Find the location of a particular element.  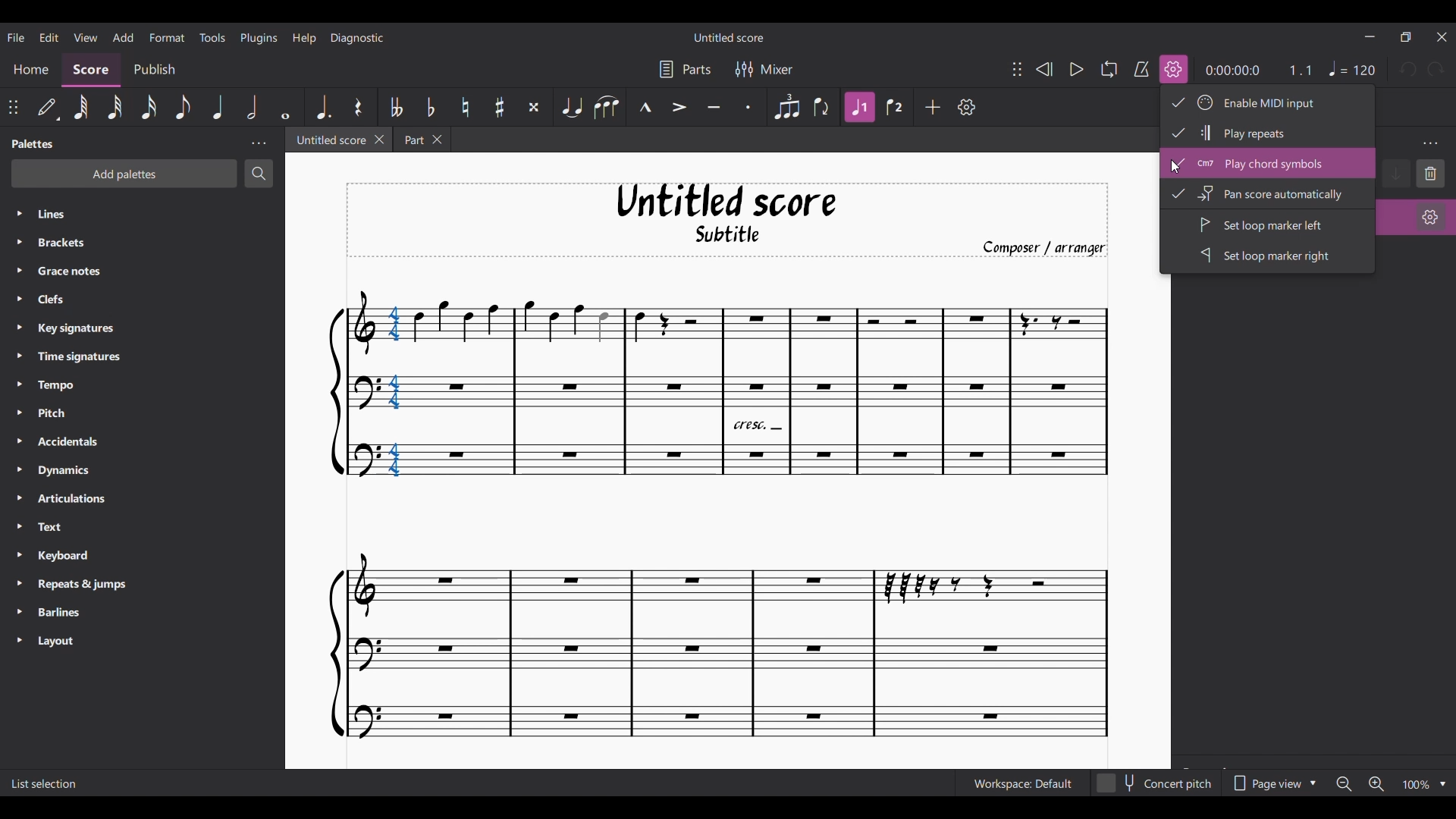

Toggle natural is located at coordinates (466, 107).